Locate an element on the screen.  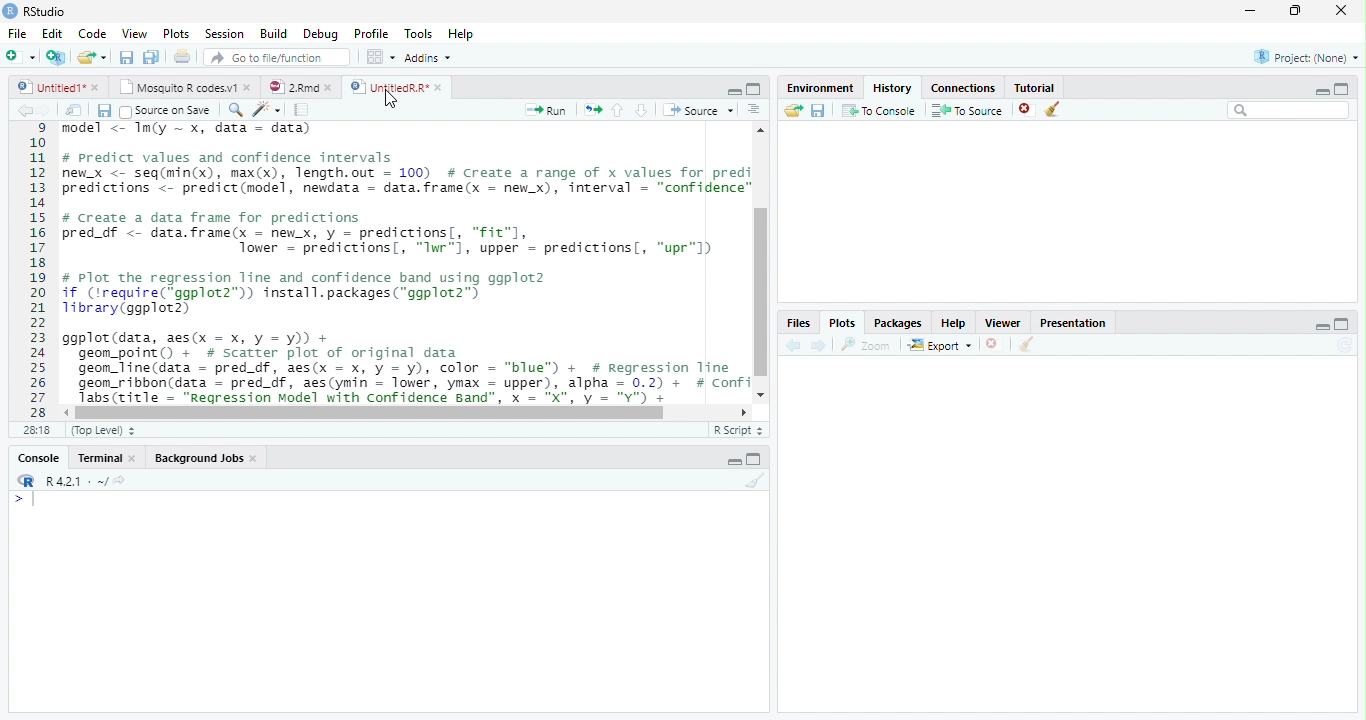
Untitled R is located at coordinates (393, 86).